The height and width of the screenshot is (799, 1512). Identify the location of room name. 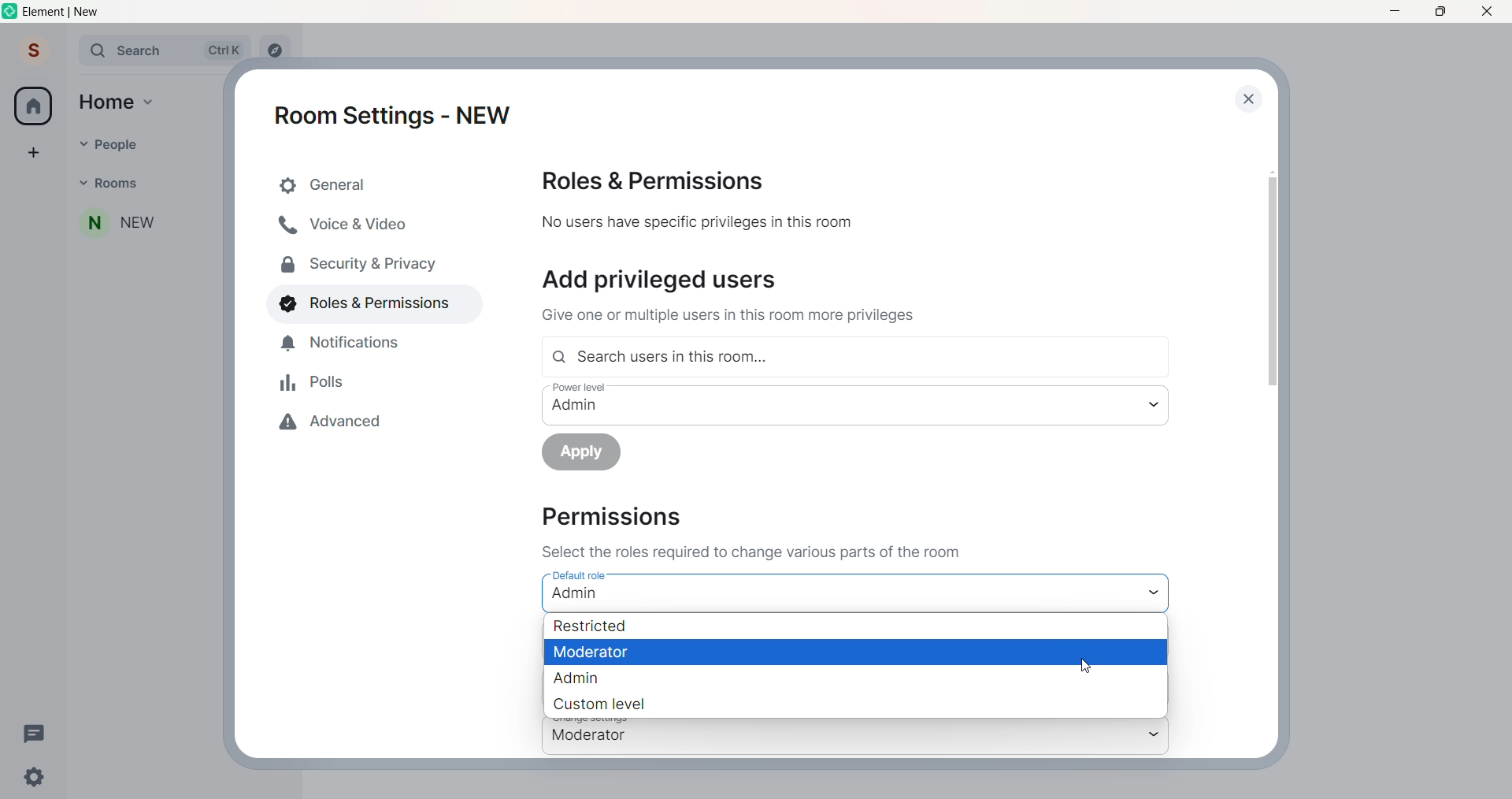
(114, 226).